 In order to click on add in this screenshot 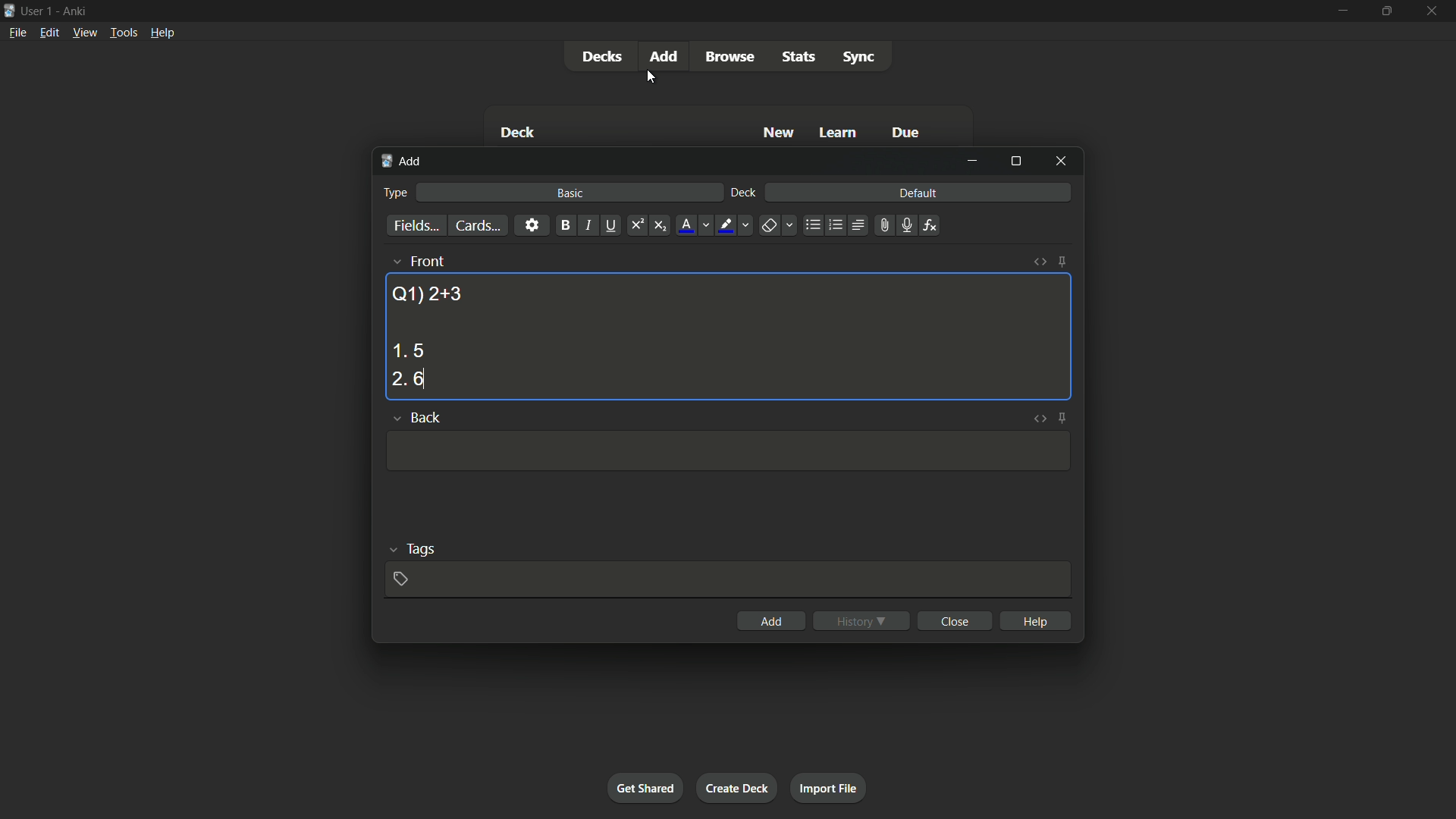, I will do `click(772, 621)`.